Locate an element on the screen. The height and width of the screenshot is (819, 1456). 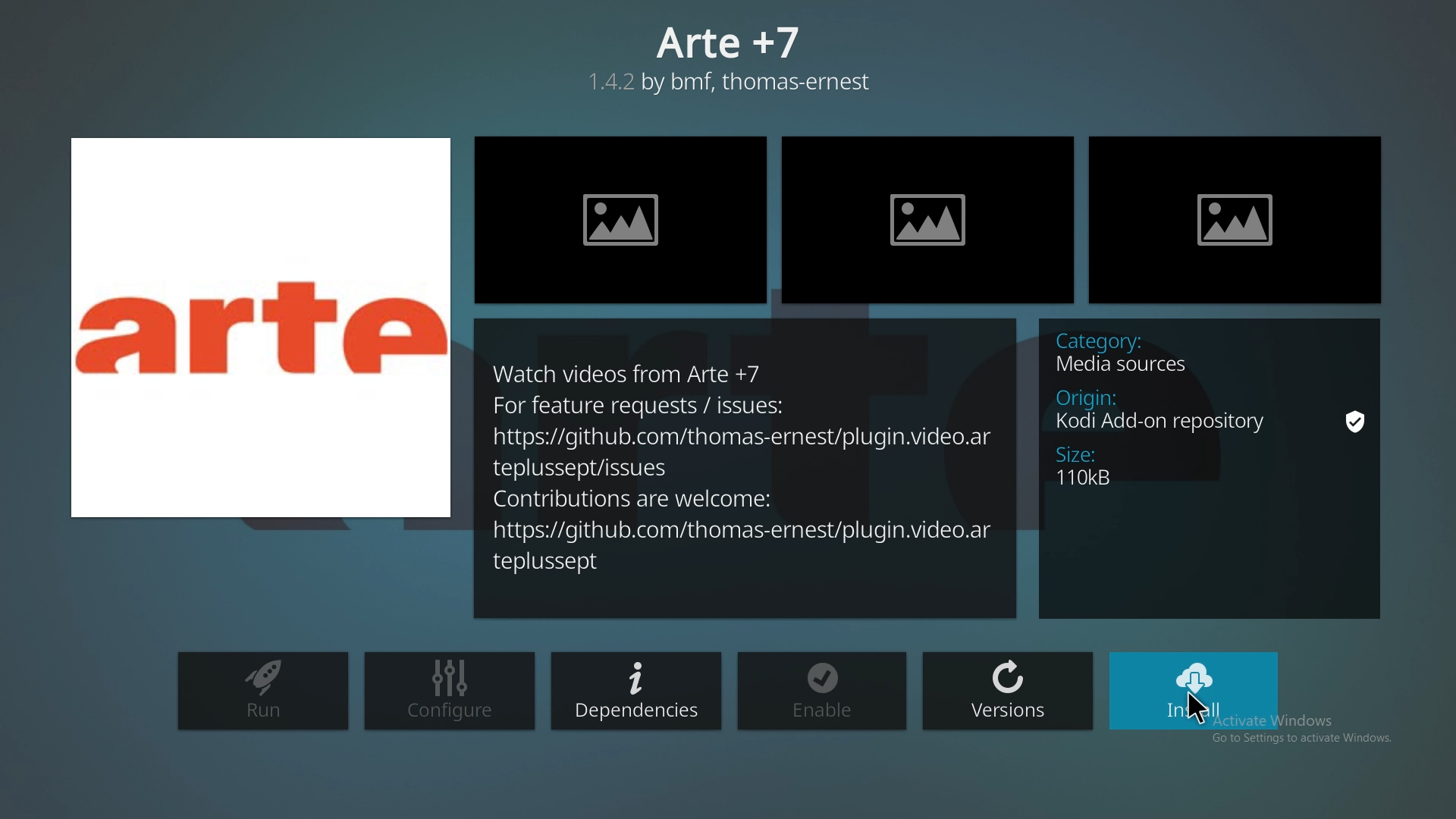
preview is located at coordinates (930, 220).